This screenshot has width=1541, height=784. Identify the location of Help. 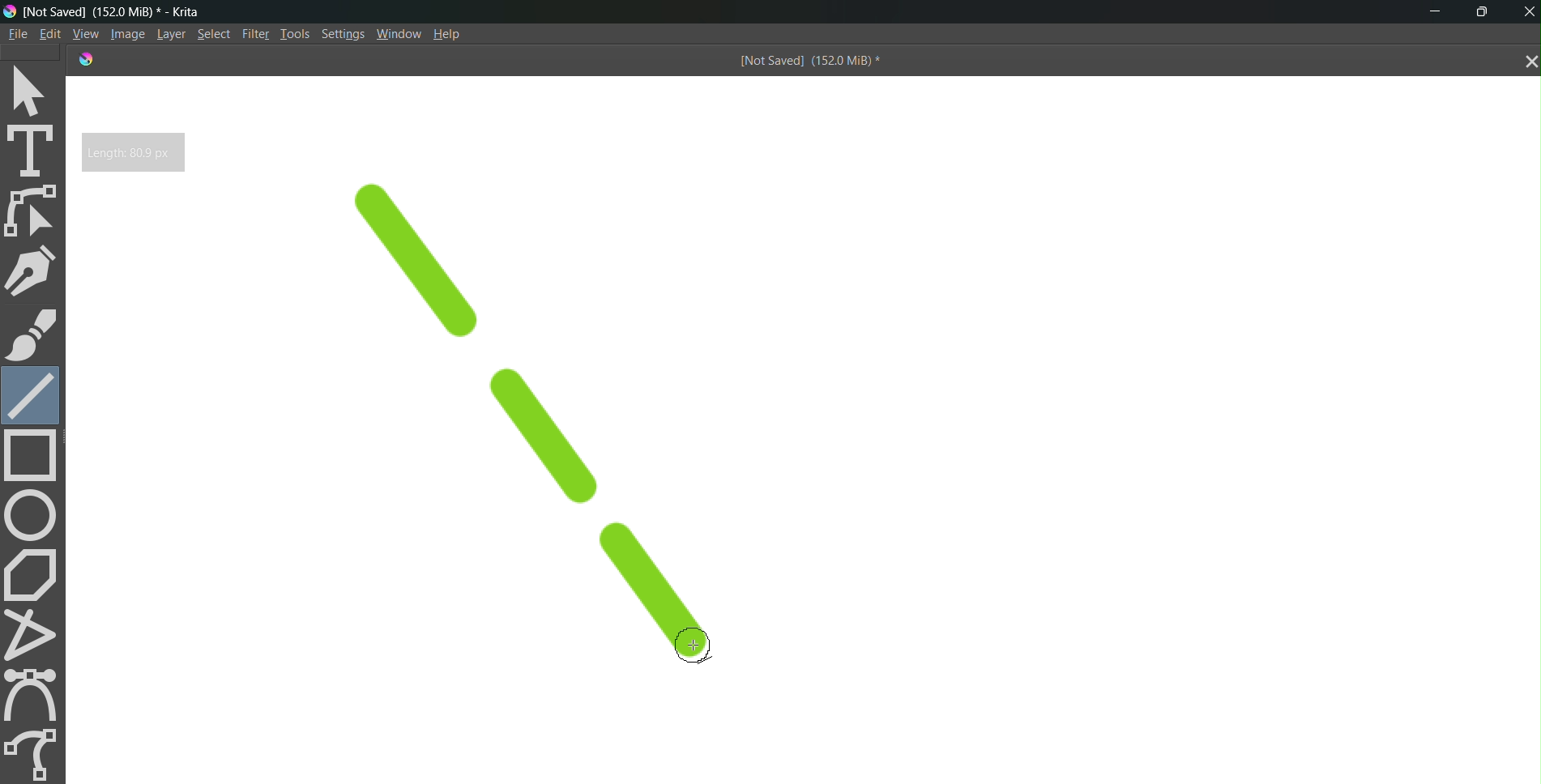
(454, 34).